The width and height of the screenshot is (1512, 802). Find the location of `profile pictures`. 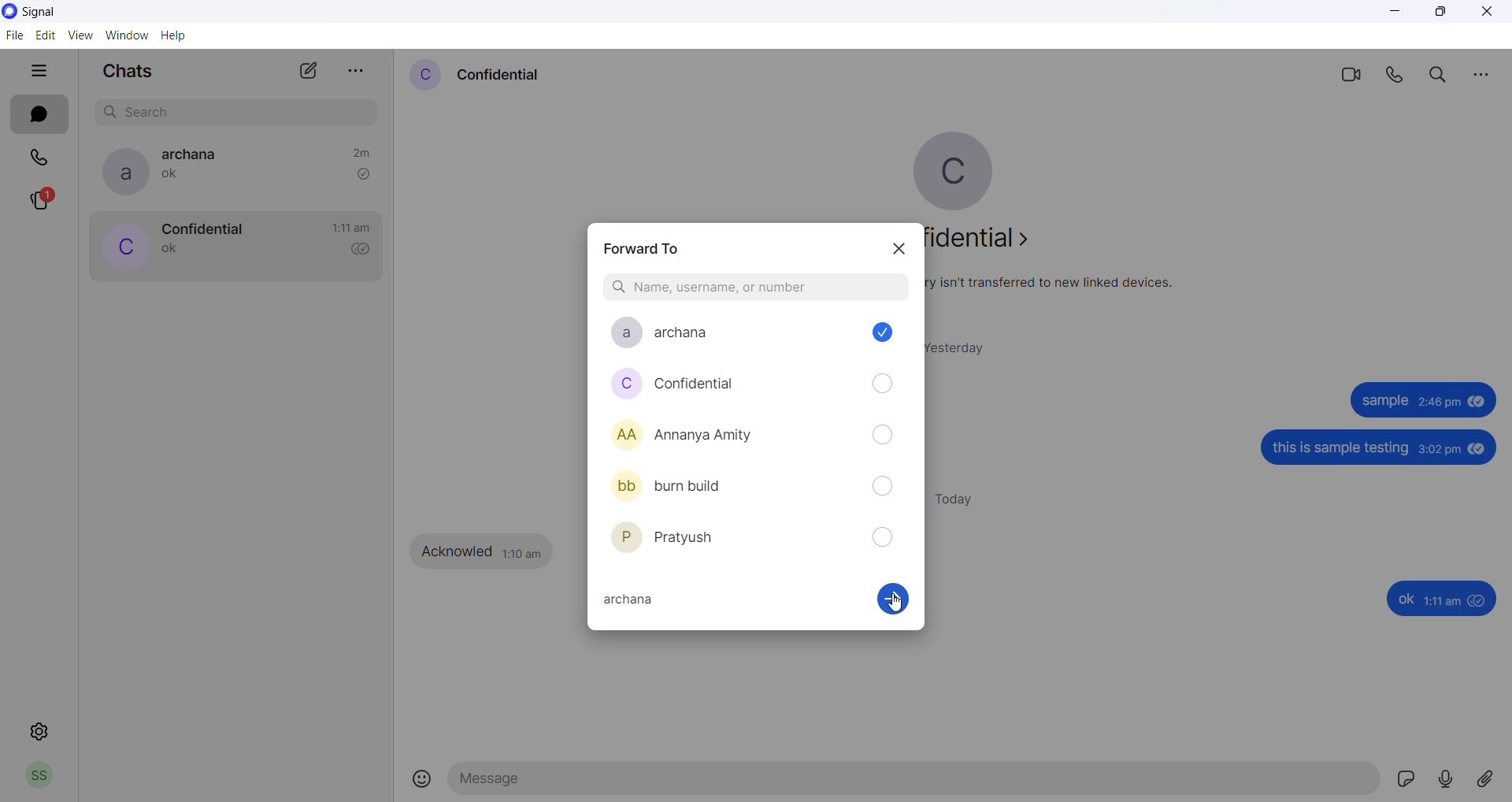

profile pictures is located at coordinates (621, 436).